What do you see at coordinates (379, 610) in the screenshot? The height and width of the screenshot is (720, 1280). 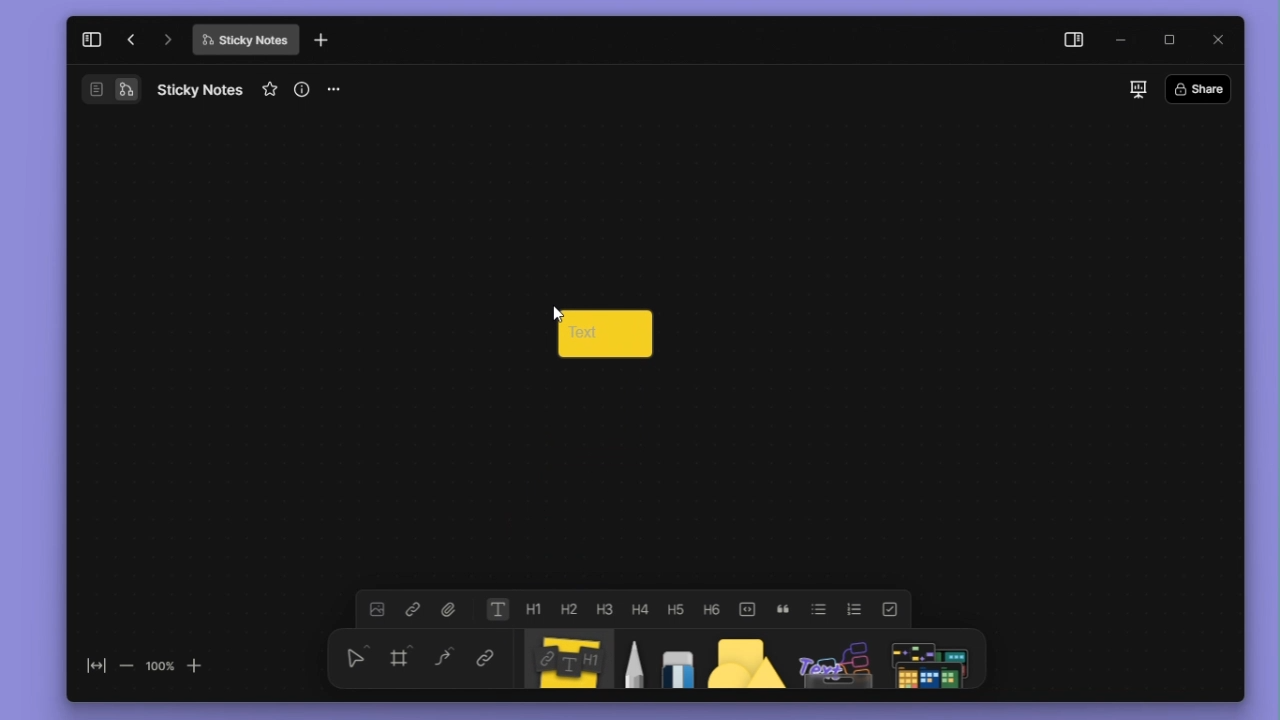 I see `image` at bounding box center [379, 610].